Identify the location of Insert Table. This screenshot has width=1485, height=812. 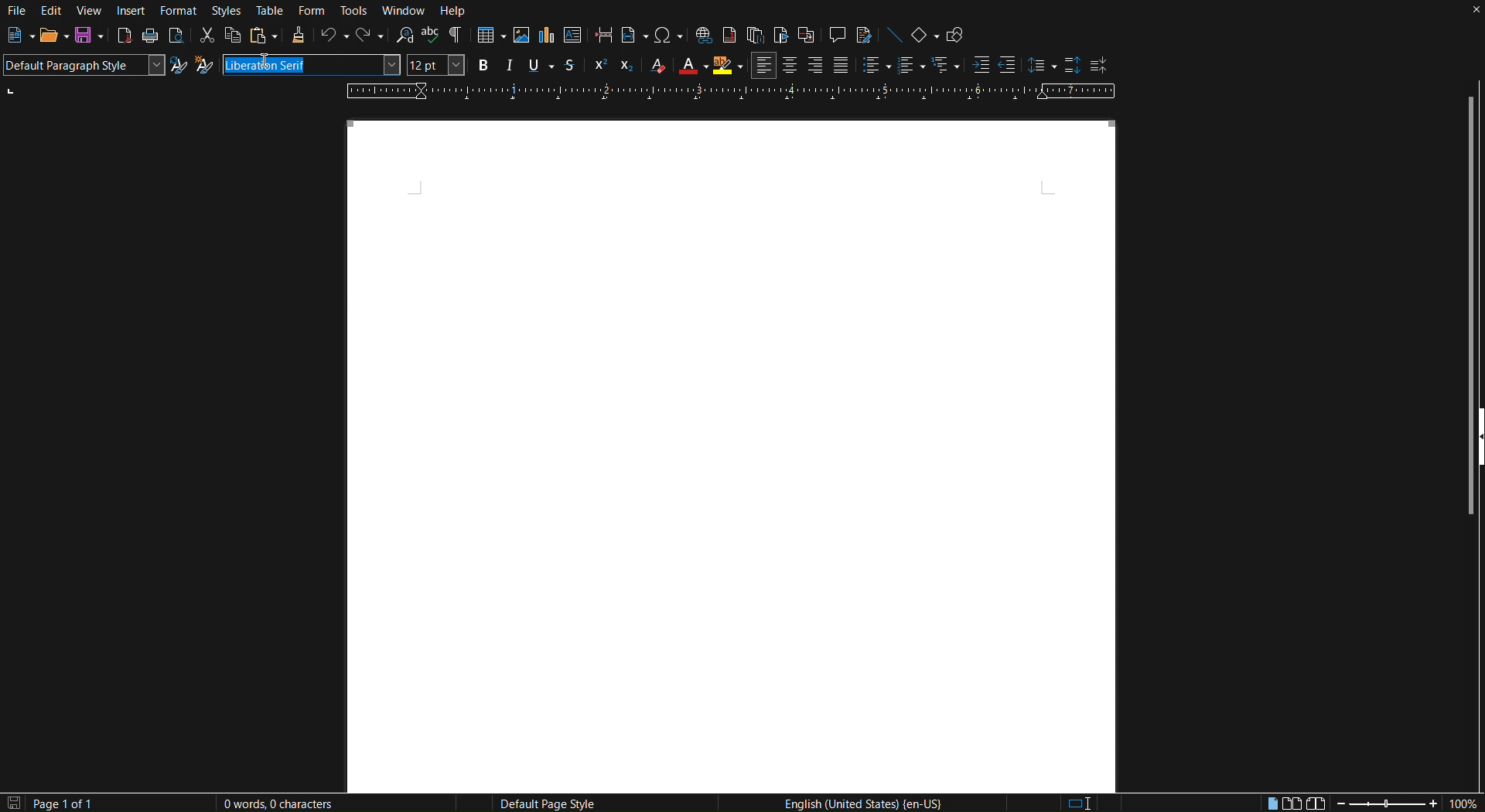
(490, 36).